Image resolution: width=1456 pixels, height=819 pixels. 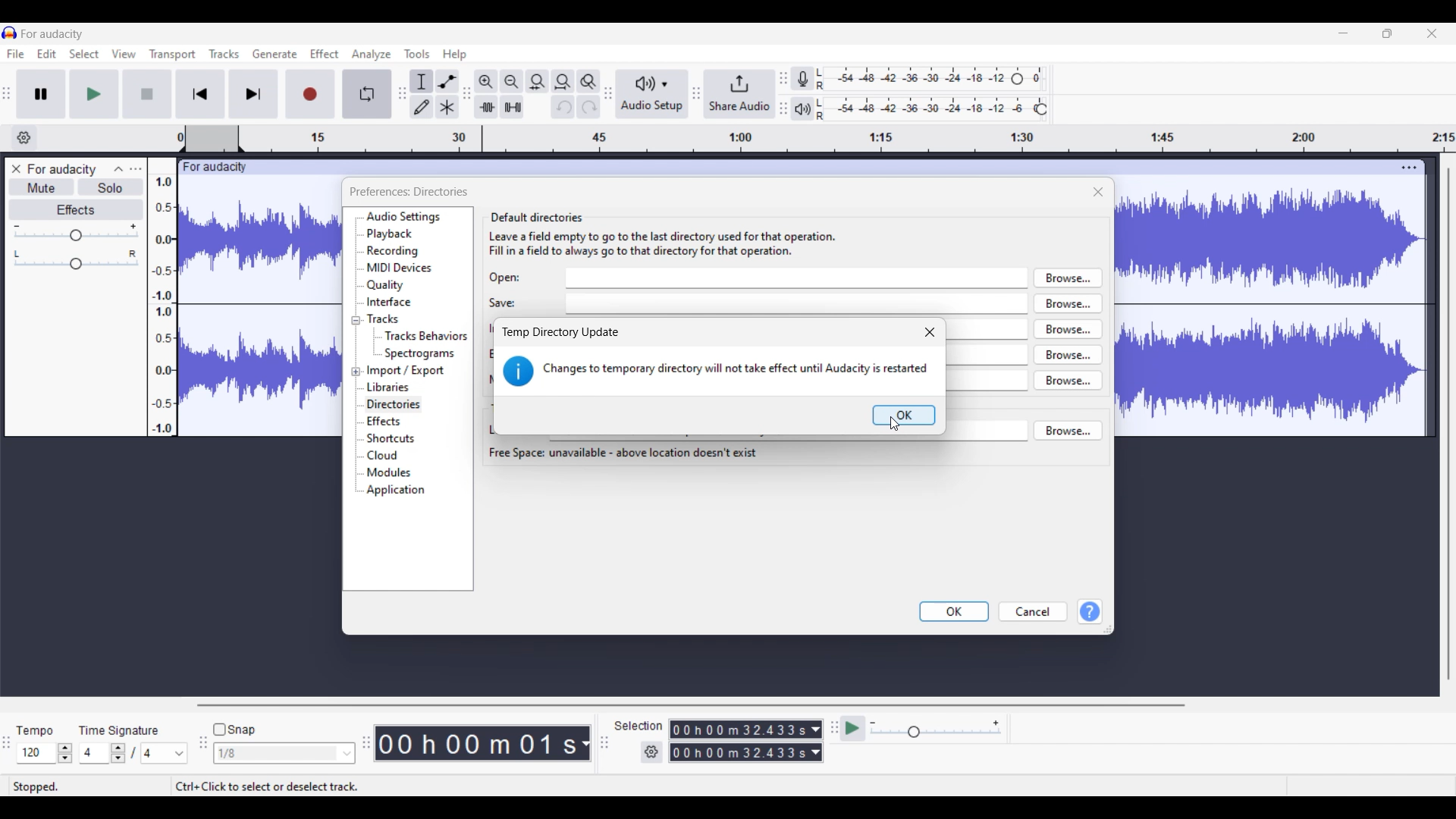 I want to click on Transport menu, so click(x=173, y=55).